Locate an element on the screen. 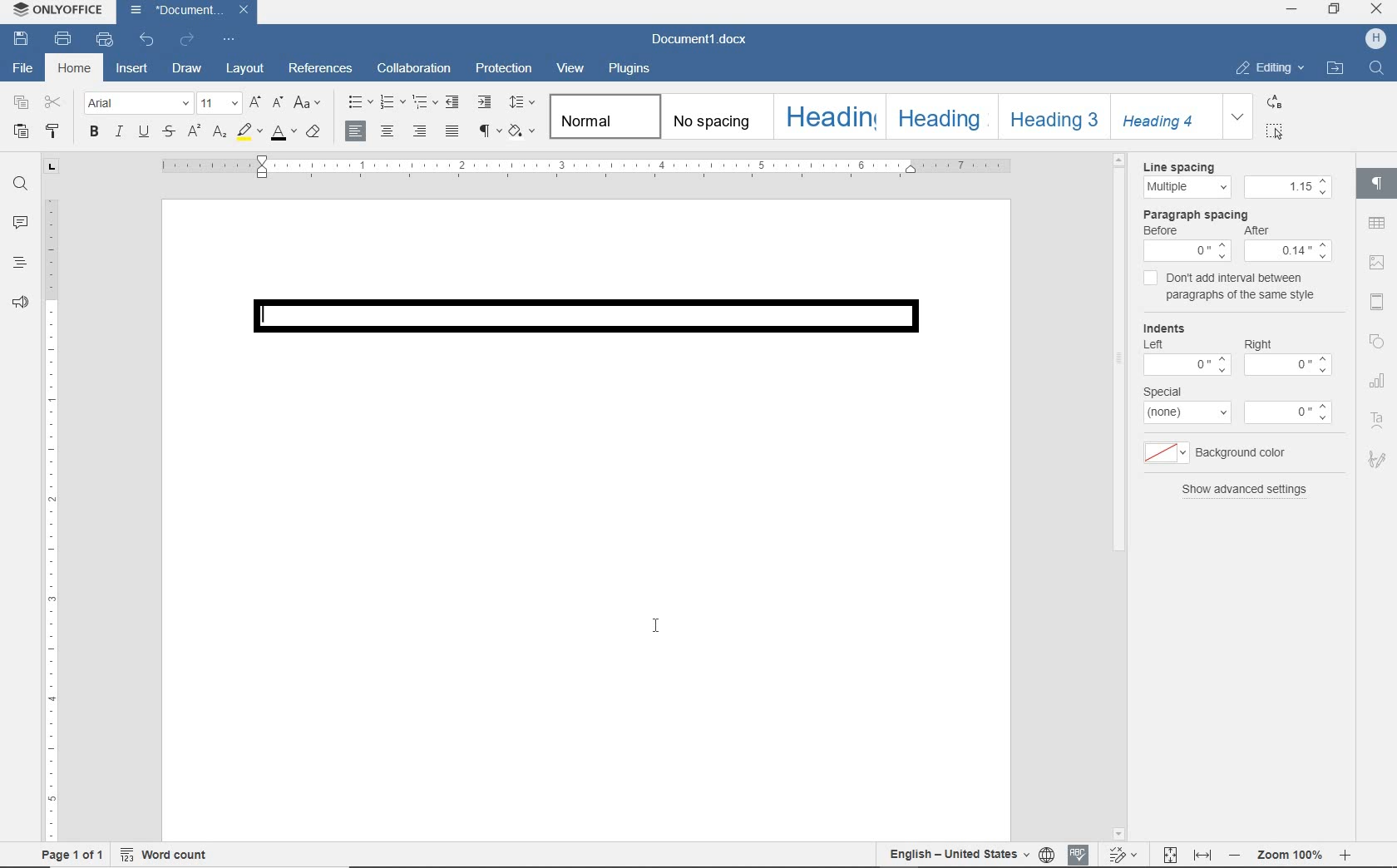  Paragraph Spacing: Before 0, After:0.14 is located at coordinates (1230, 236).